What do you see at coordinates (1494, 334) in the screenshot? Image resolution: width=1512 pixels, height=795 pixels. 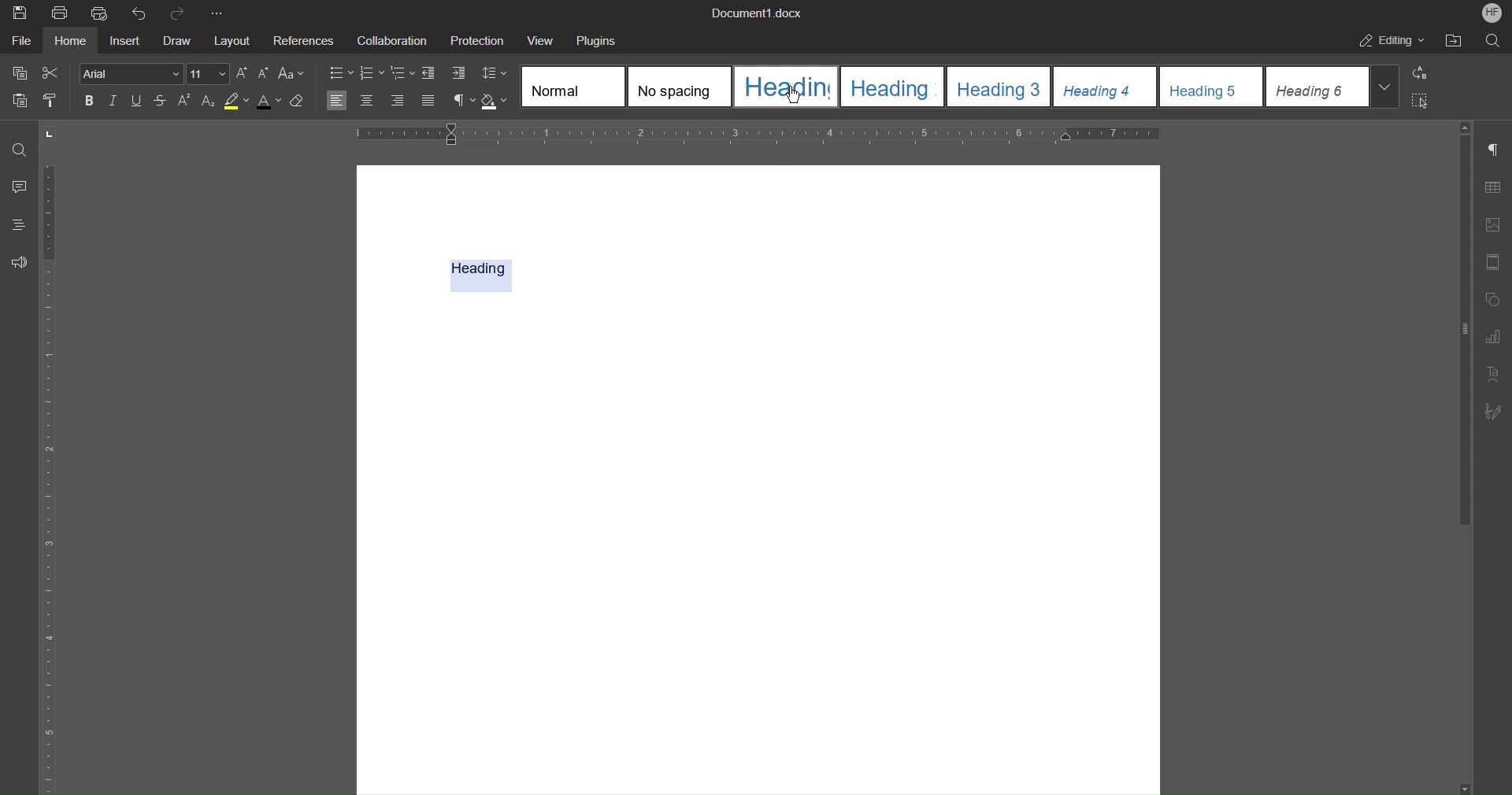 I see `Graph` at bounding box center [1494, 334].